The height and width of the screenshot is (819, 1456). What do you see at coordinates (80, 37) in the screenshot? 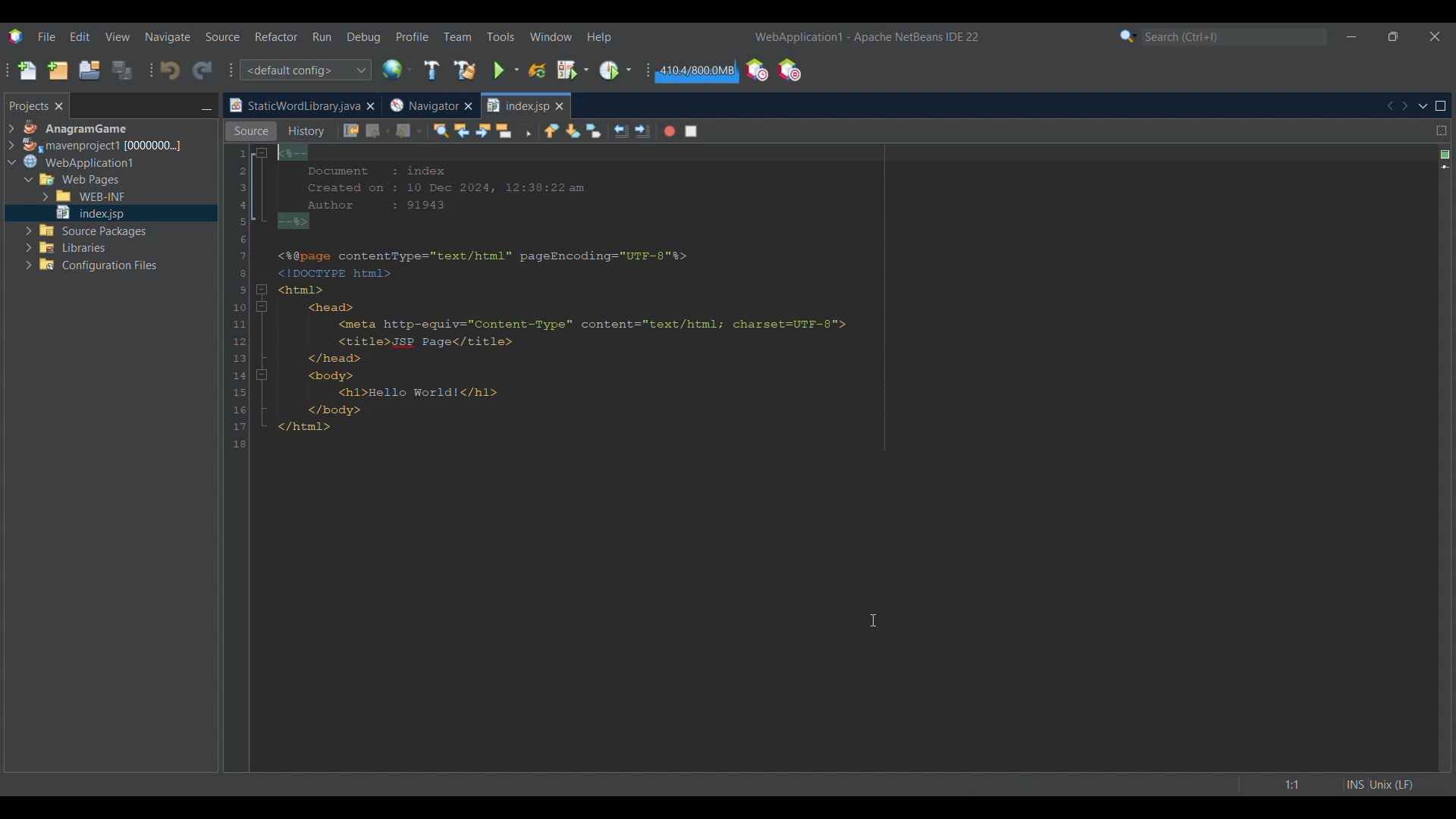
I see `Edit menu` at bounding box center [80, 37].